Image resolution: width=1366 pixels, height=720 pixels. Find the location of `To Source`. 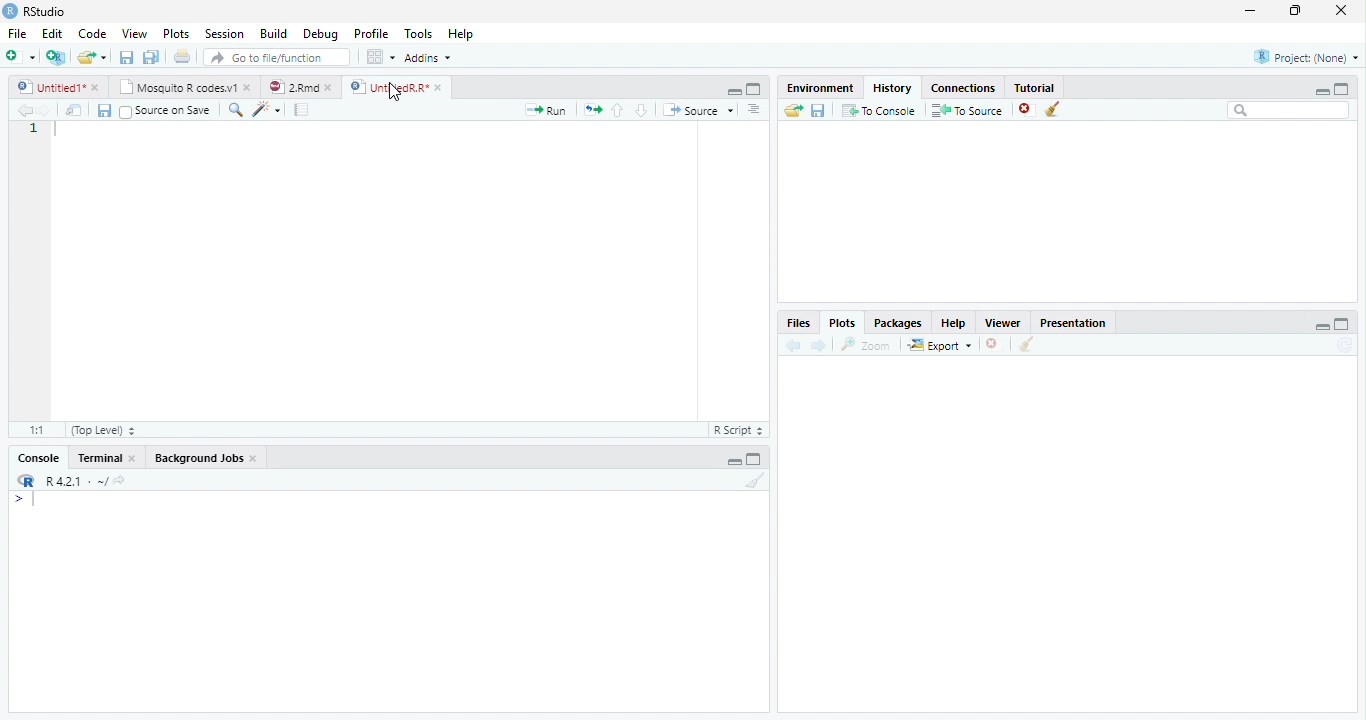

To Source is located at coordinates (966, 110).